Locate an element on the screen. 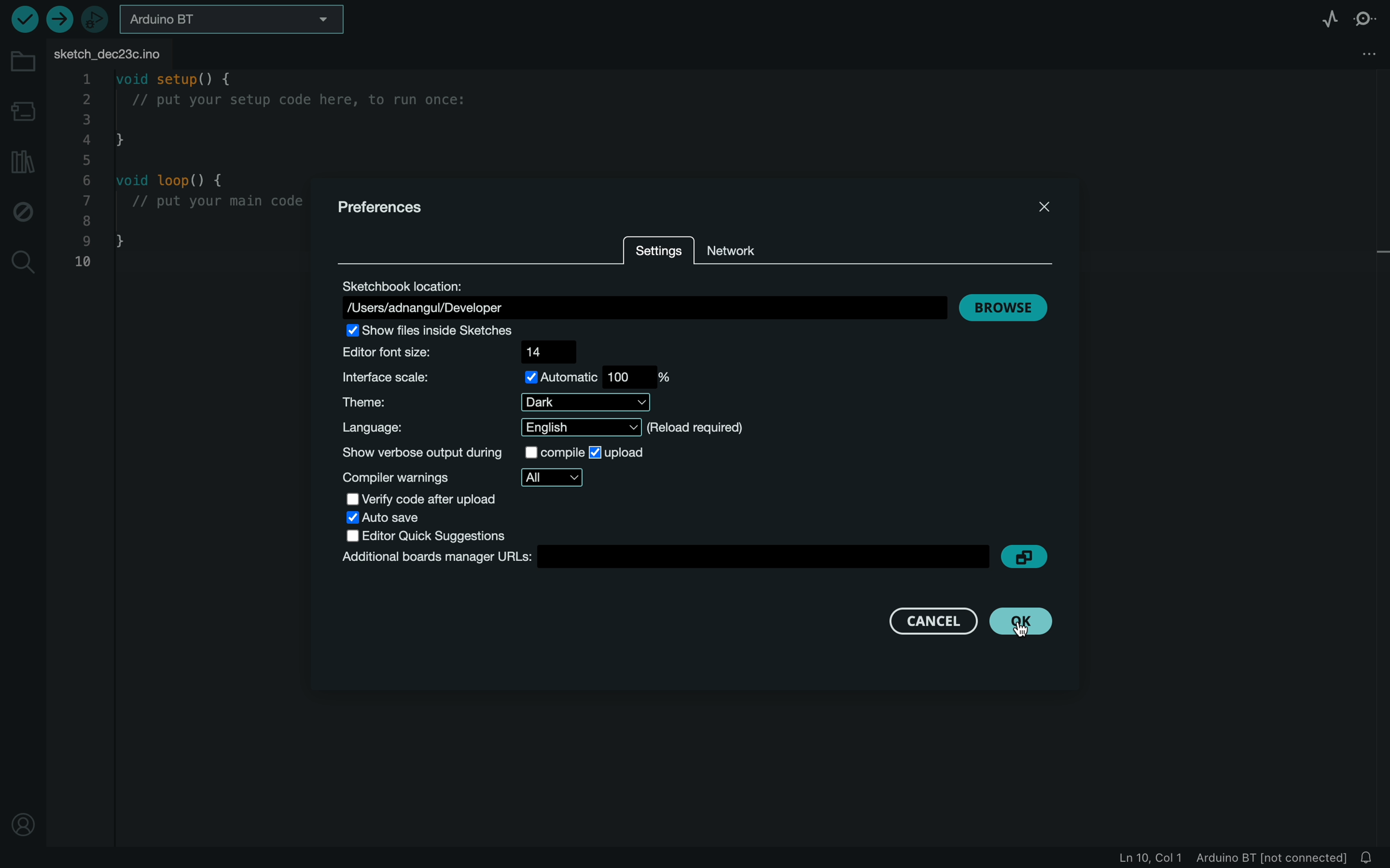  selected is located at coordinates (620, 452).